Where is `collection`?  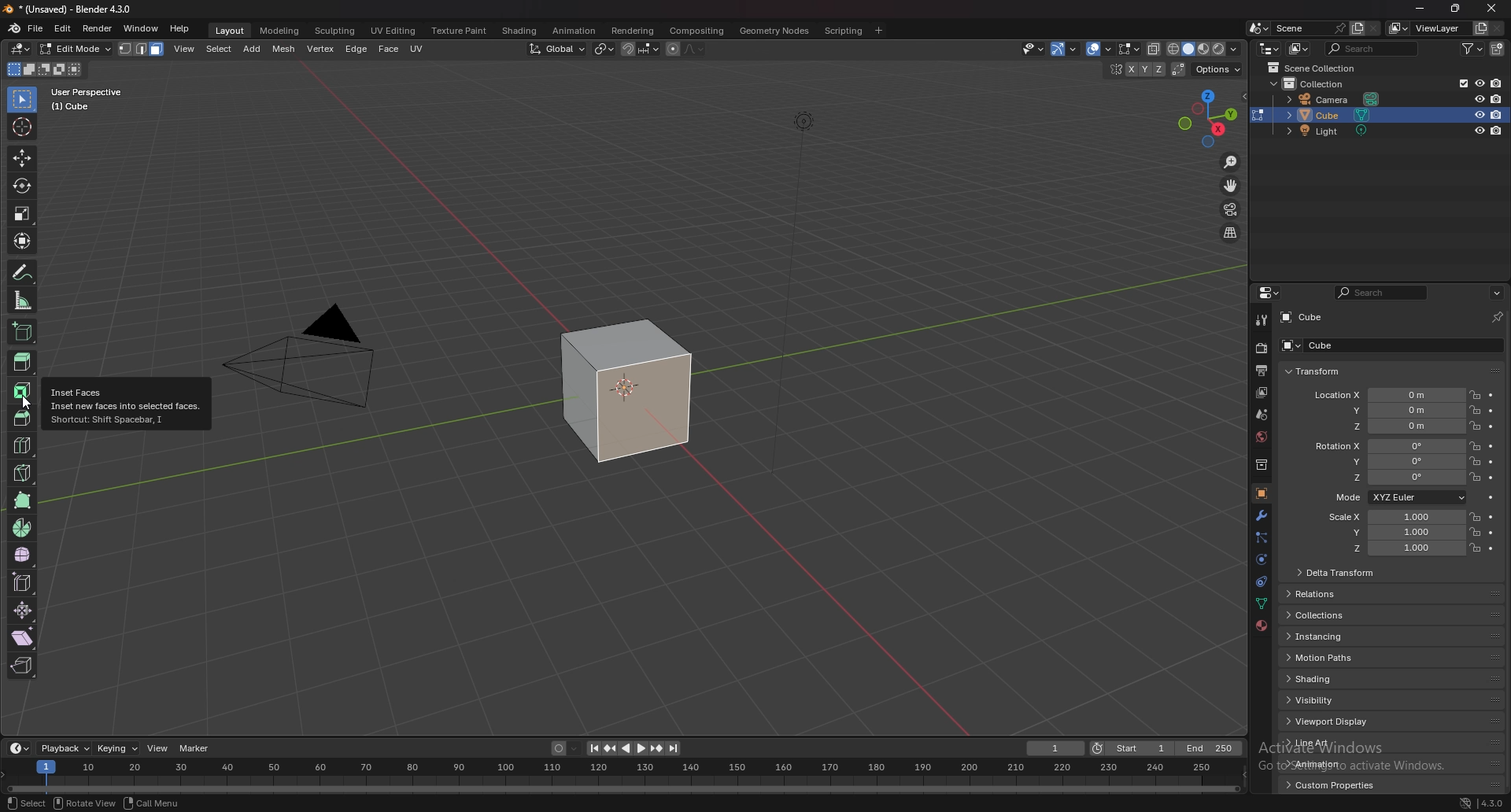 collection is located at coordinates (1260, 465).